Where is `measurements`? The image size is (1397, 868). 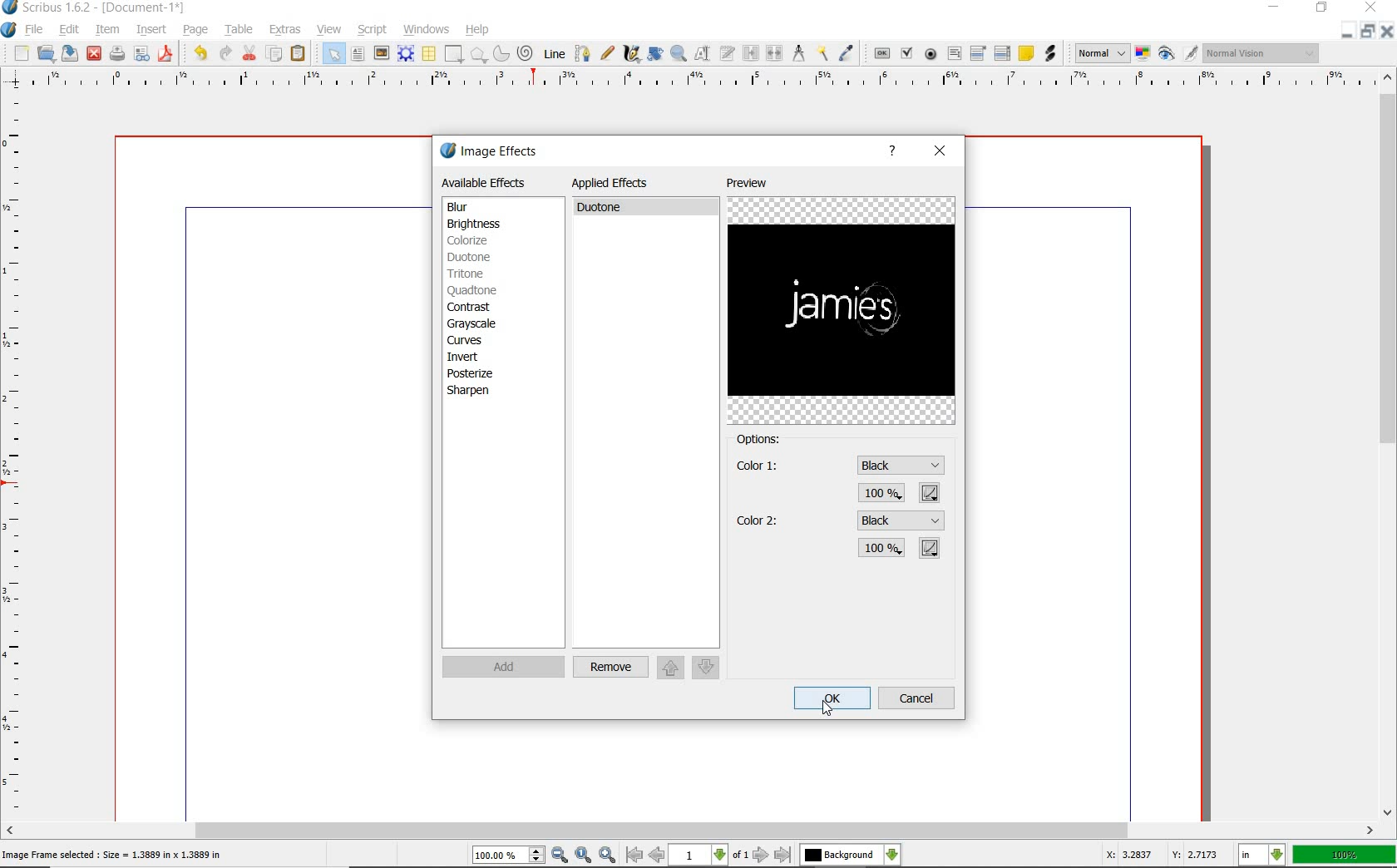
measurements is located at coordinates (799, 52).